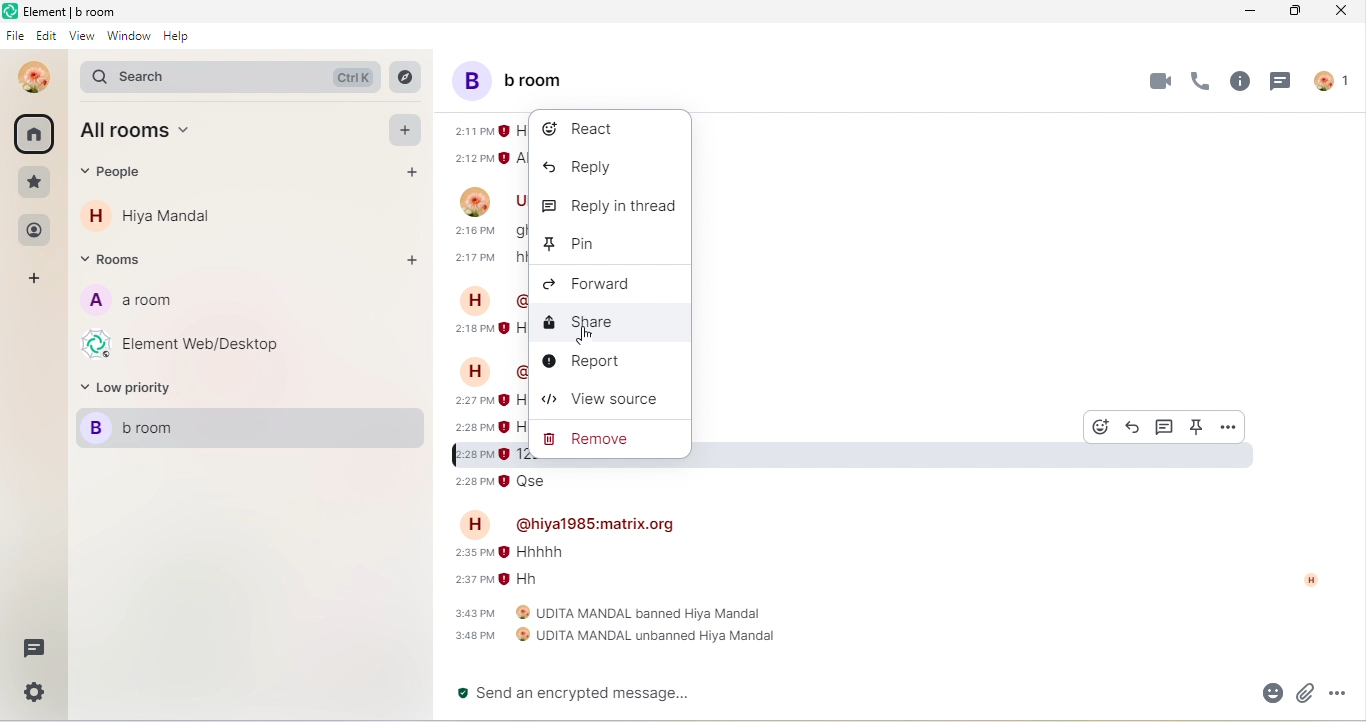 The width and height of the screenshot is (1366, 722). I want to click on help, so click(183, 42).